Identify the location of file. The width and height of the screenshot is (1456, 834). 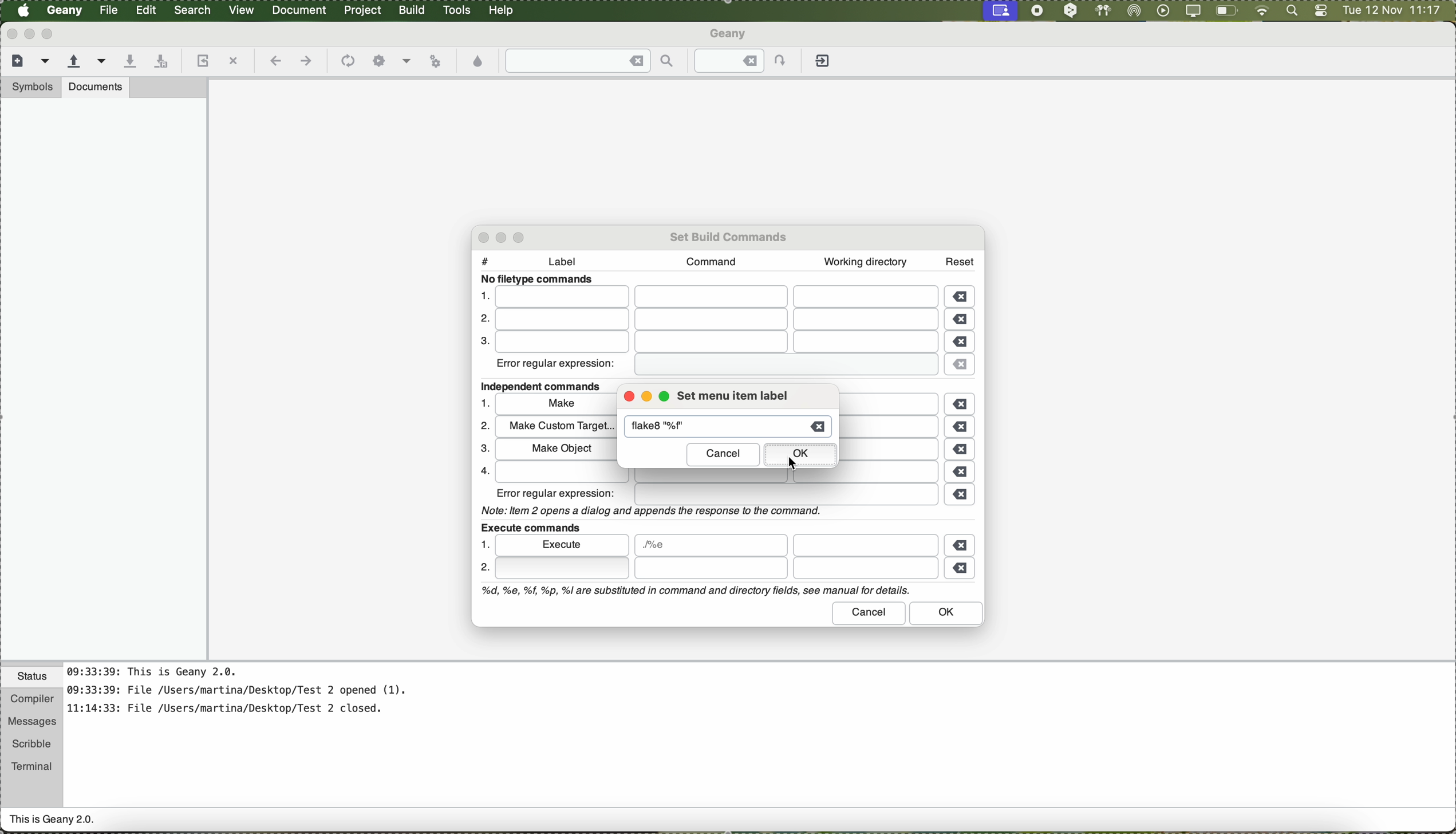
(715, 321).